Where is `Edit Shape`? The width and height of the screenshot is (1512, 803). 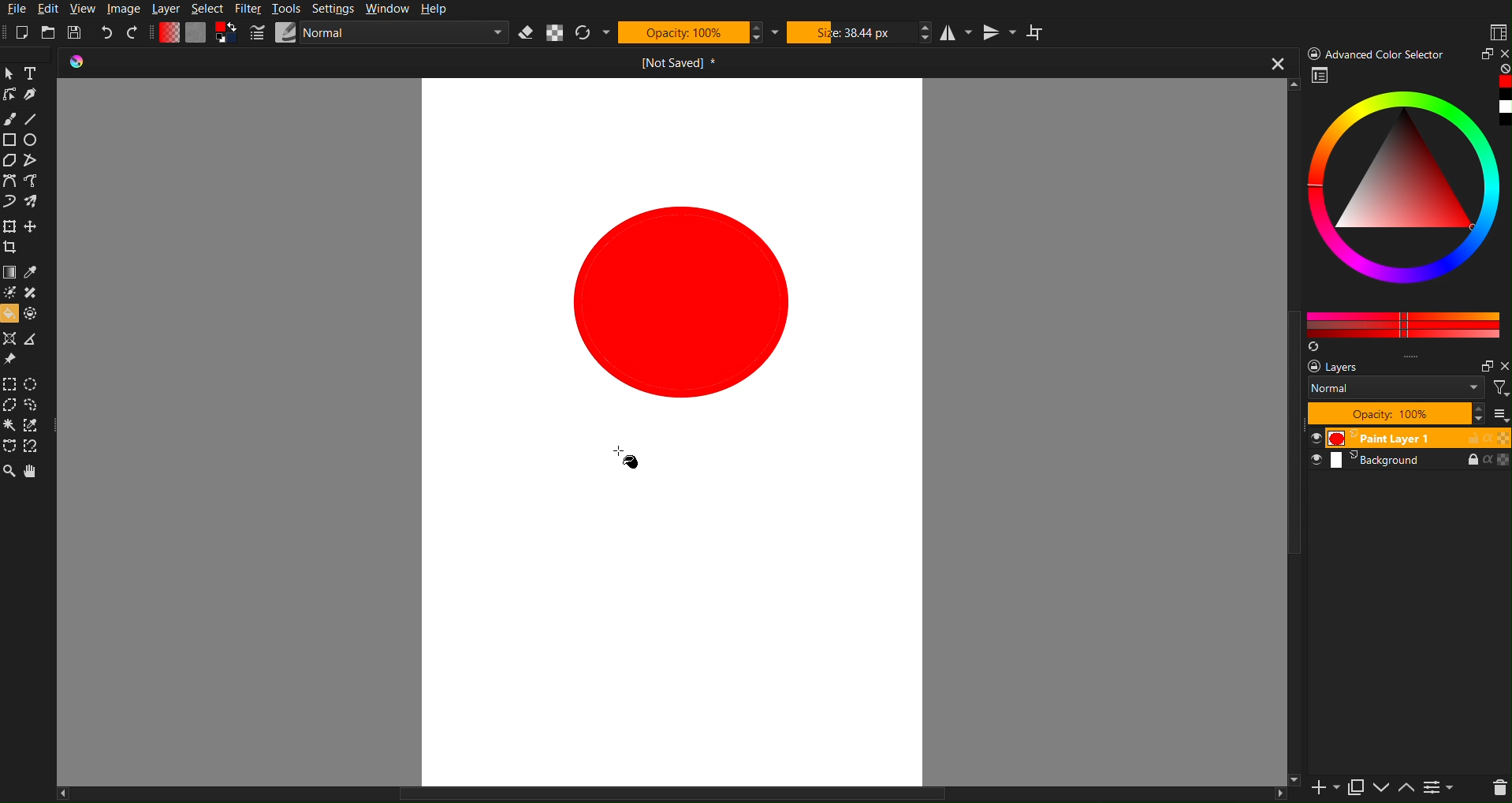 Edit Shape is located at coordinates (9, 95).